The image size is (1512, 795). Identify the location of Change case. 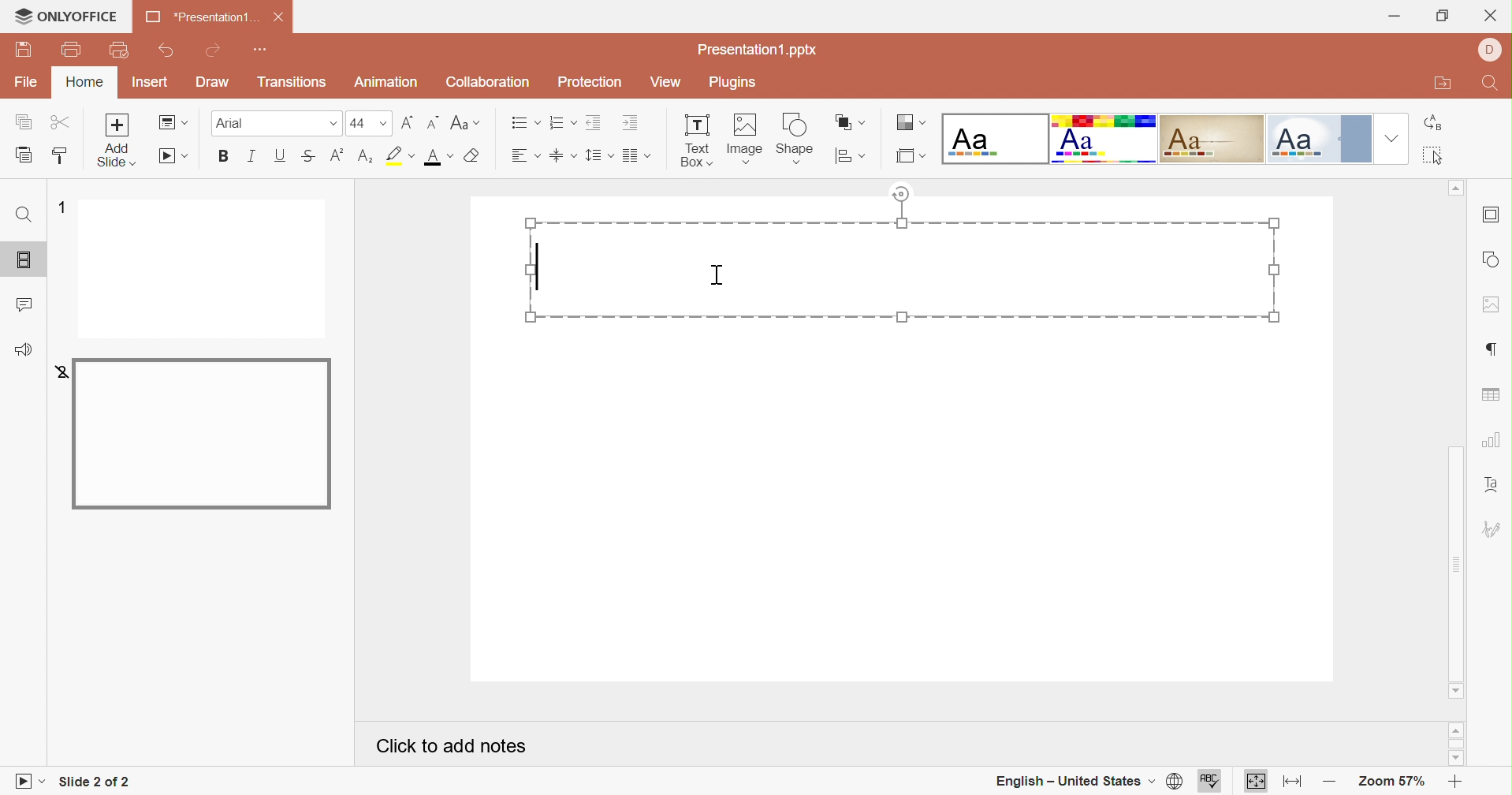
(466, 122).